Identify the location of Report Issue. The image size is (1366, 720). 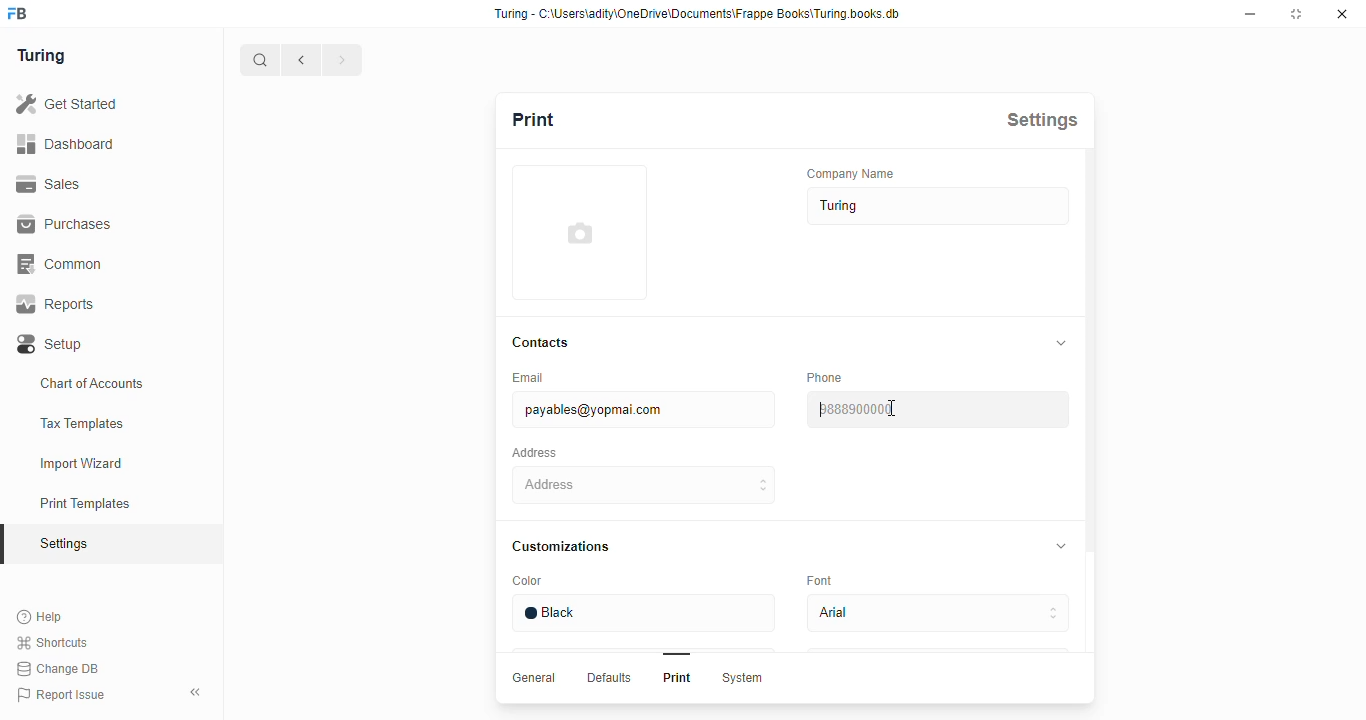
(63, 695).